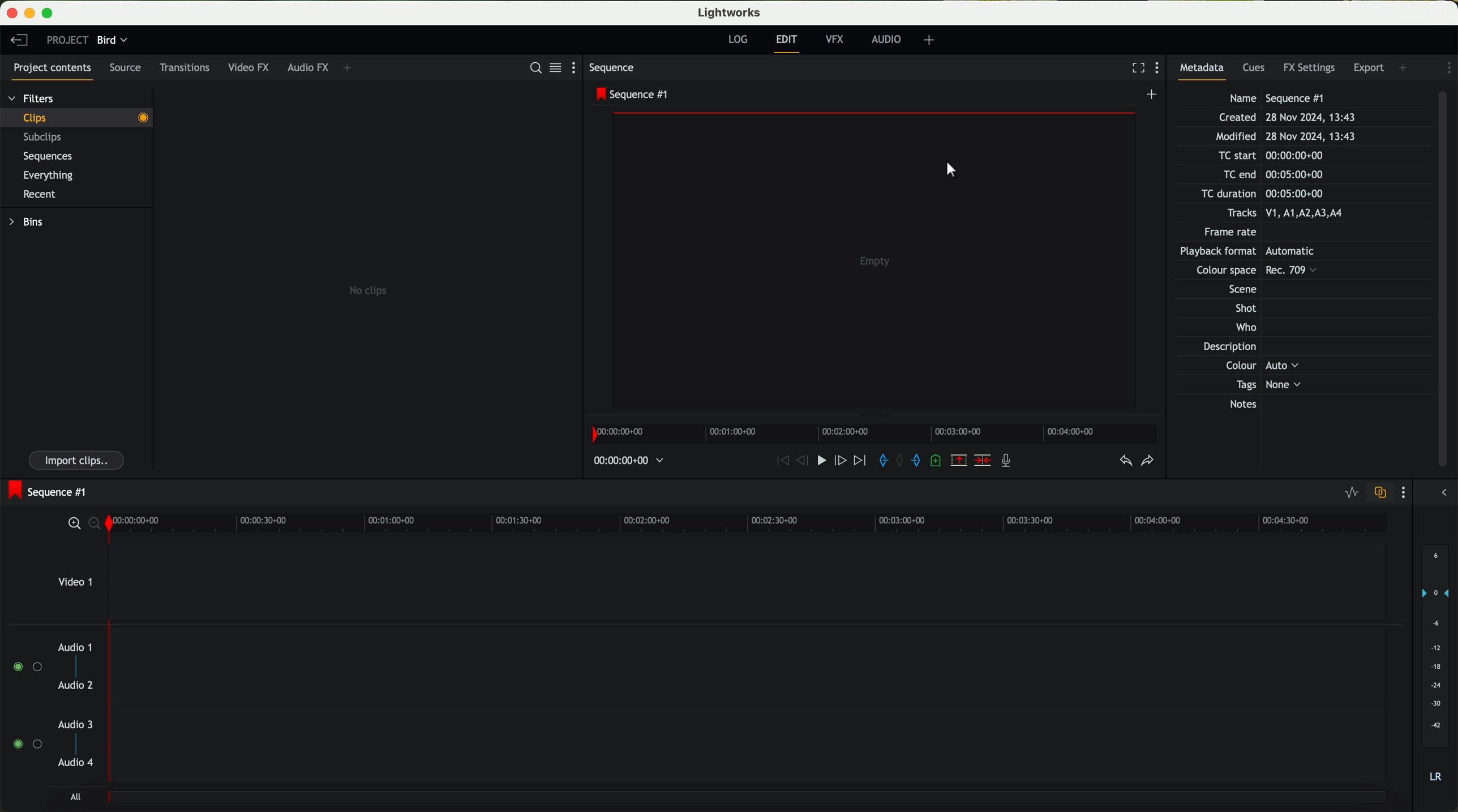  What do you see at coordinates (717, 581) in the screenshot?
I see `video 1 track` at bounding box center [717, 581].